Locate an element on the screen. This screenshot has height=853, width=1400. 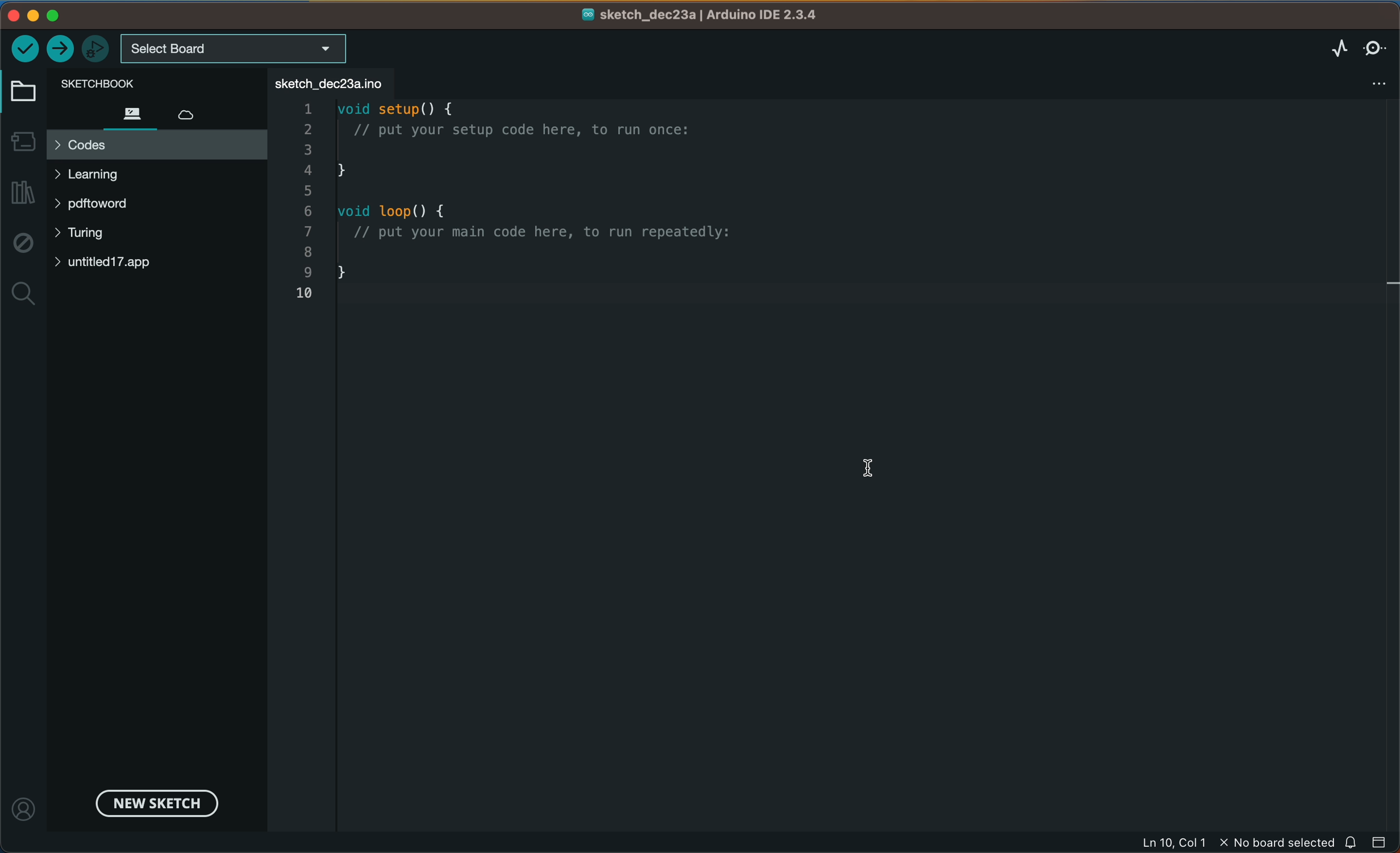
tab deleted is located at coordinates (437, 85).